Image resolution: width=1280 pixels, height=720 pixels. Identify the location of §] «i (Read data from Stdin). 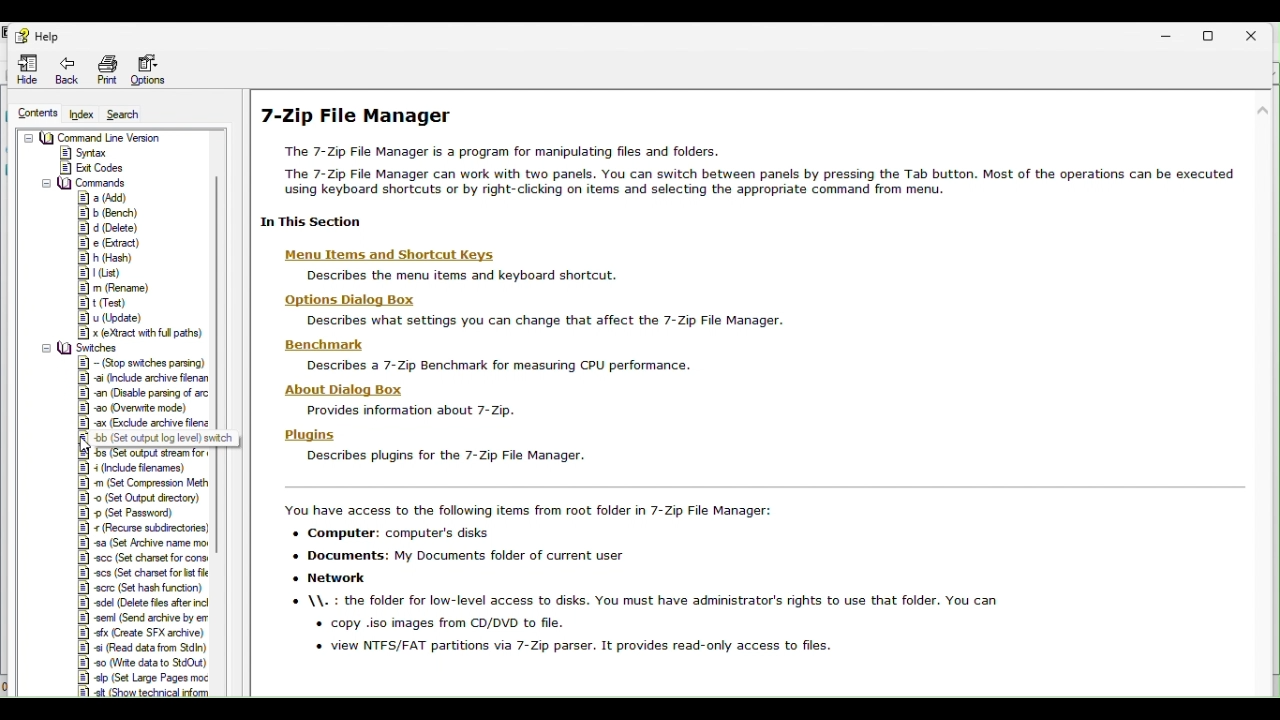
(142, 648).